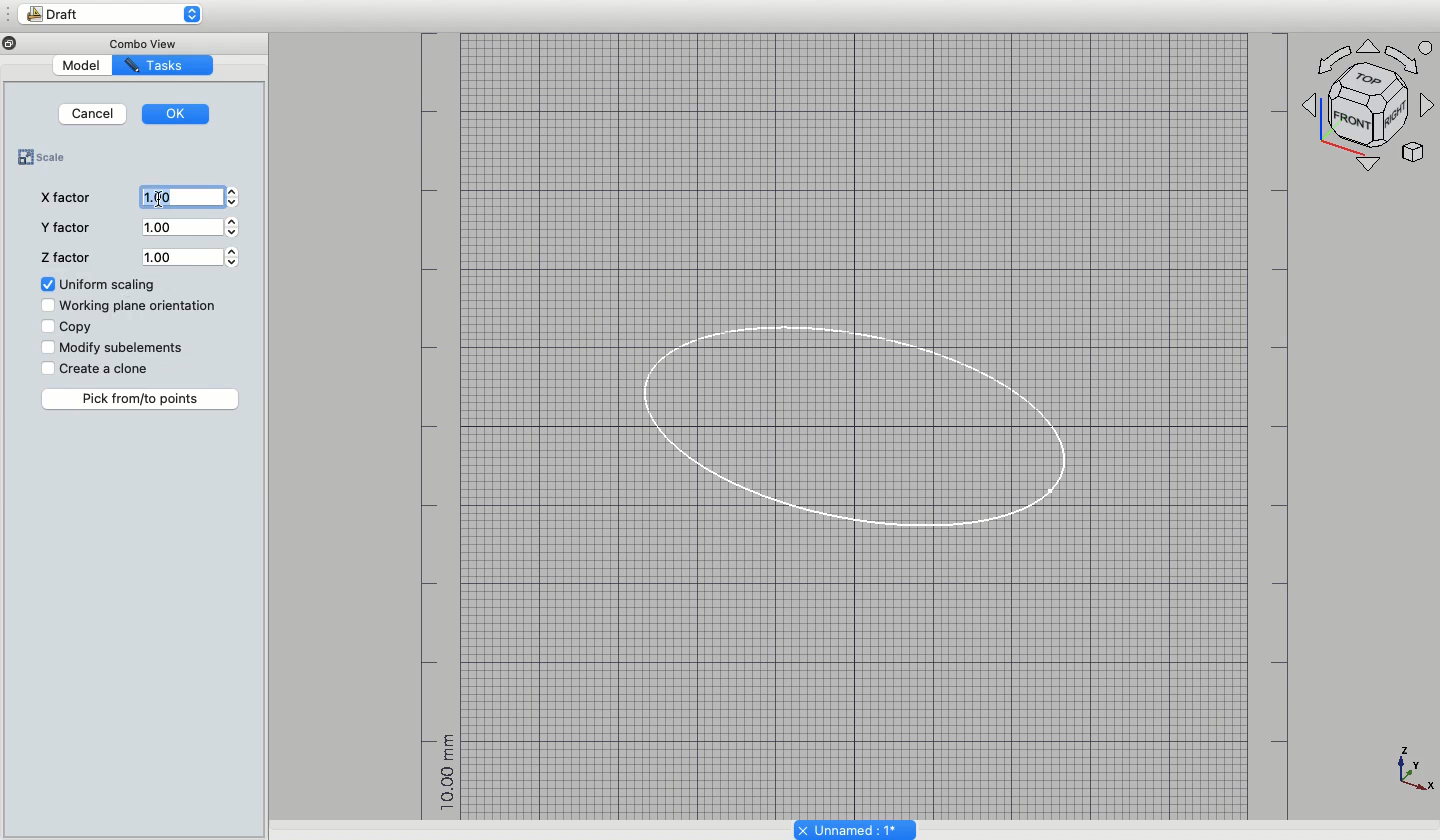 The height and width of the screenshot is (840, 1440). Describe the element at coordinates (1414, 773) in the screenshot. I see `Axes` at that location.